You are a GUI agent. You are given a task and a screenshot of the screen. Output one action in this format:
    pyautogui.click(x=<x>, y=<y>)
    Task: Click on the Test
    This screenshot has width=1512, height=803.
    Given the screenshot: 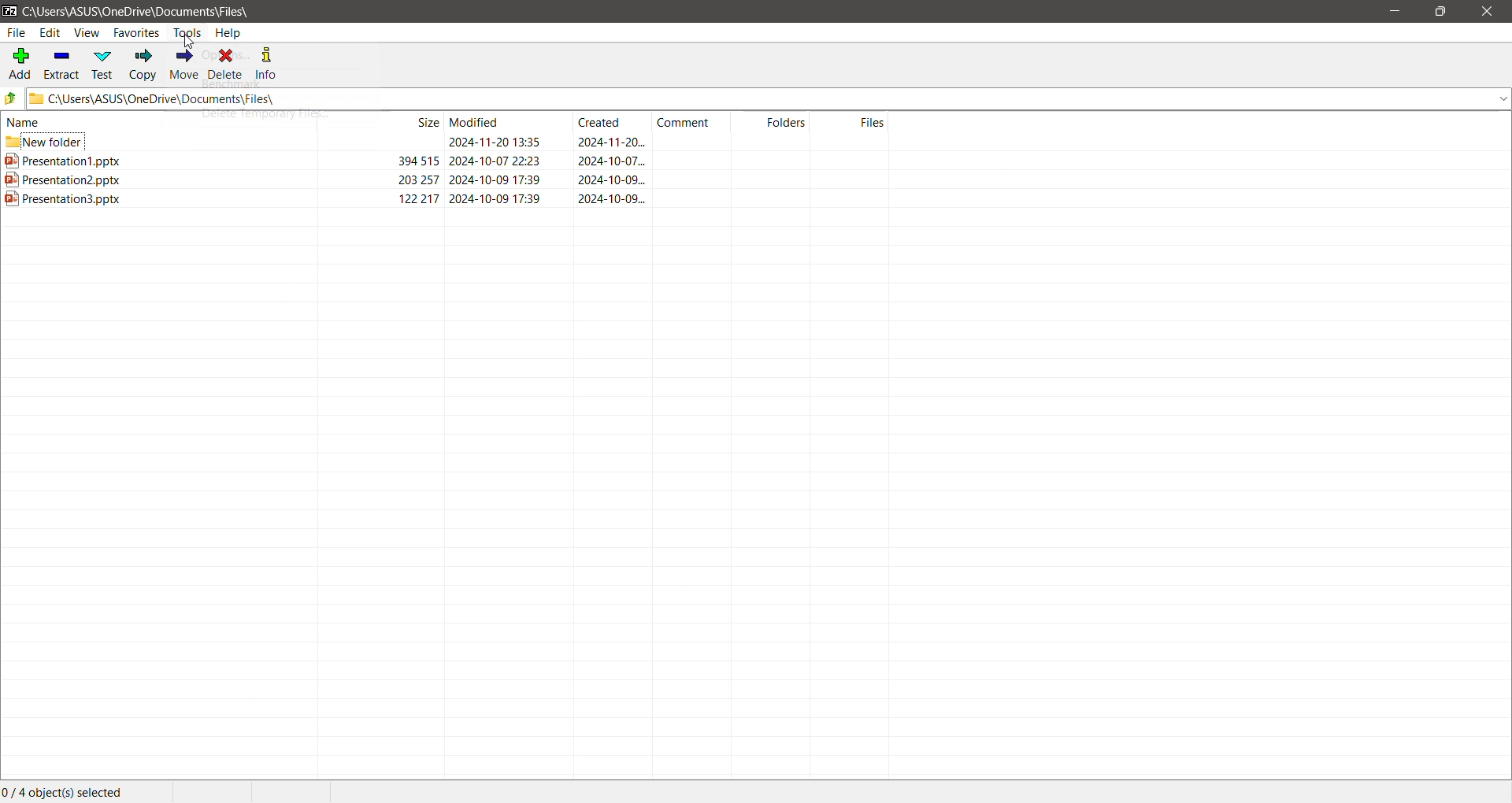 What is the action you would take?
    pyautogui.click(x=105, y=66)
    